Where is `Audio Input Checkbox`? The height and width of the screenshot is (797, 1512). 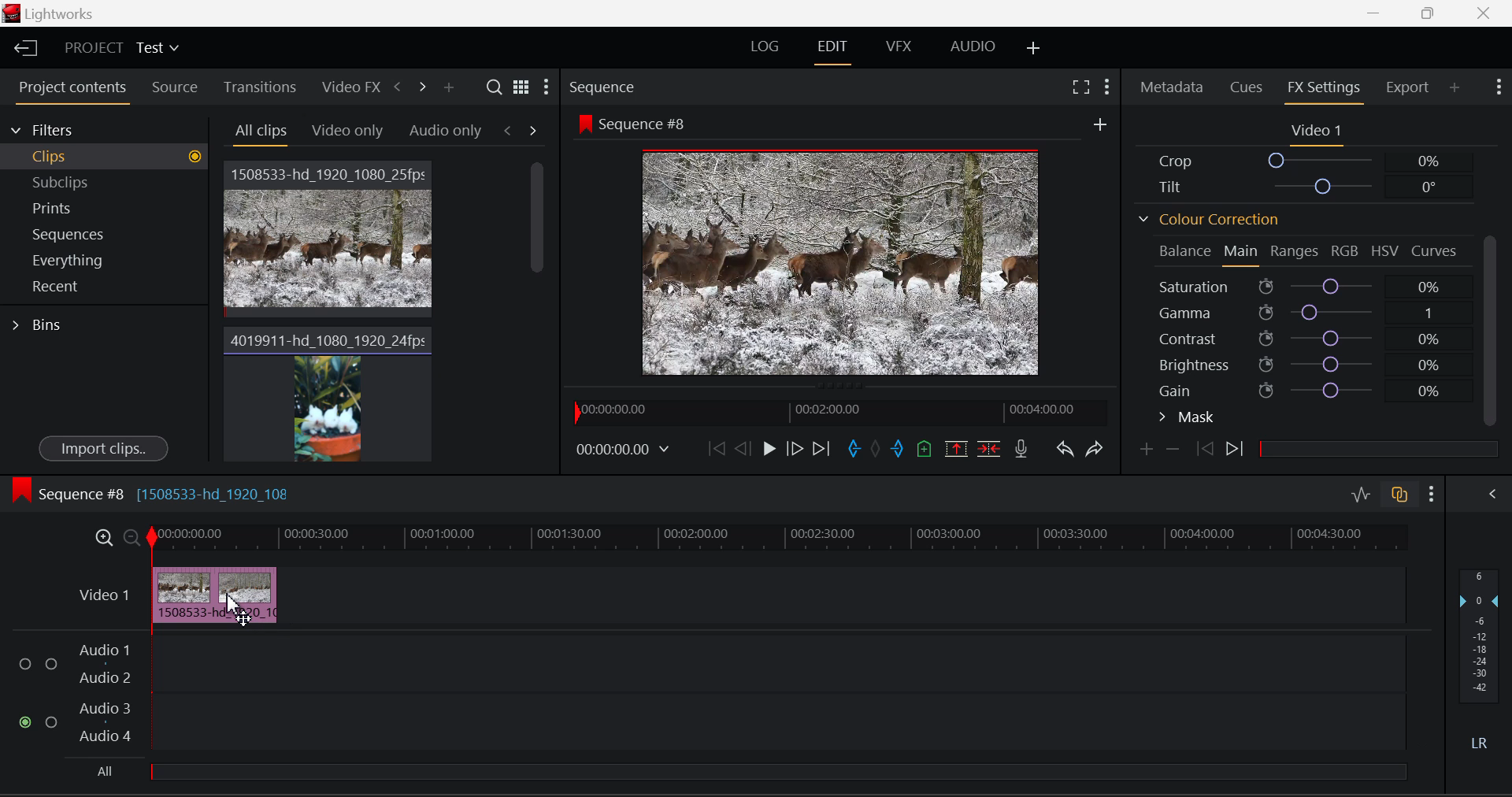
Audio Input Checkbox is located at coordinates (24, 665).